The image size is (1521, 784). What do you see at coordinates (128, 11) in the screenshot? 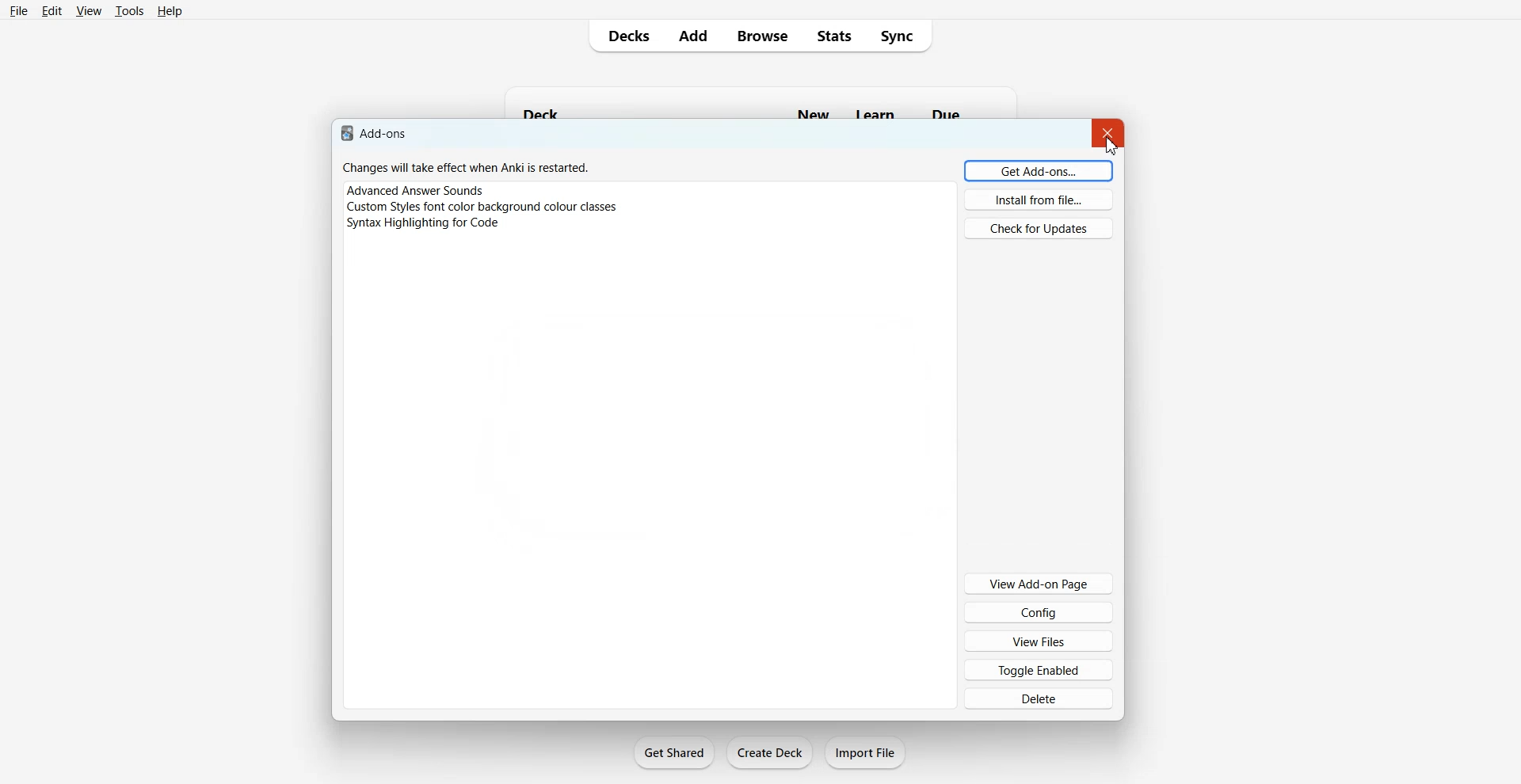
I see `Tools` at bounding box center [128, 11].